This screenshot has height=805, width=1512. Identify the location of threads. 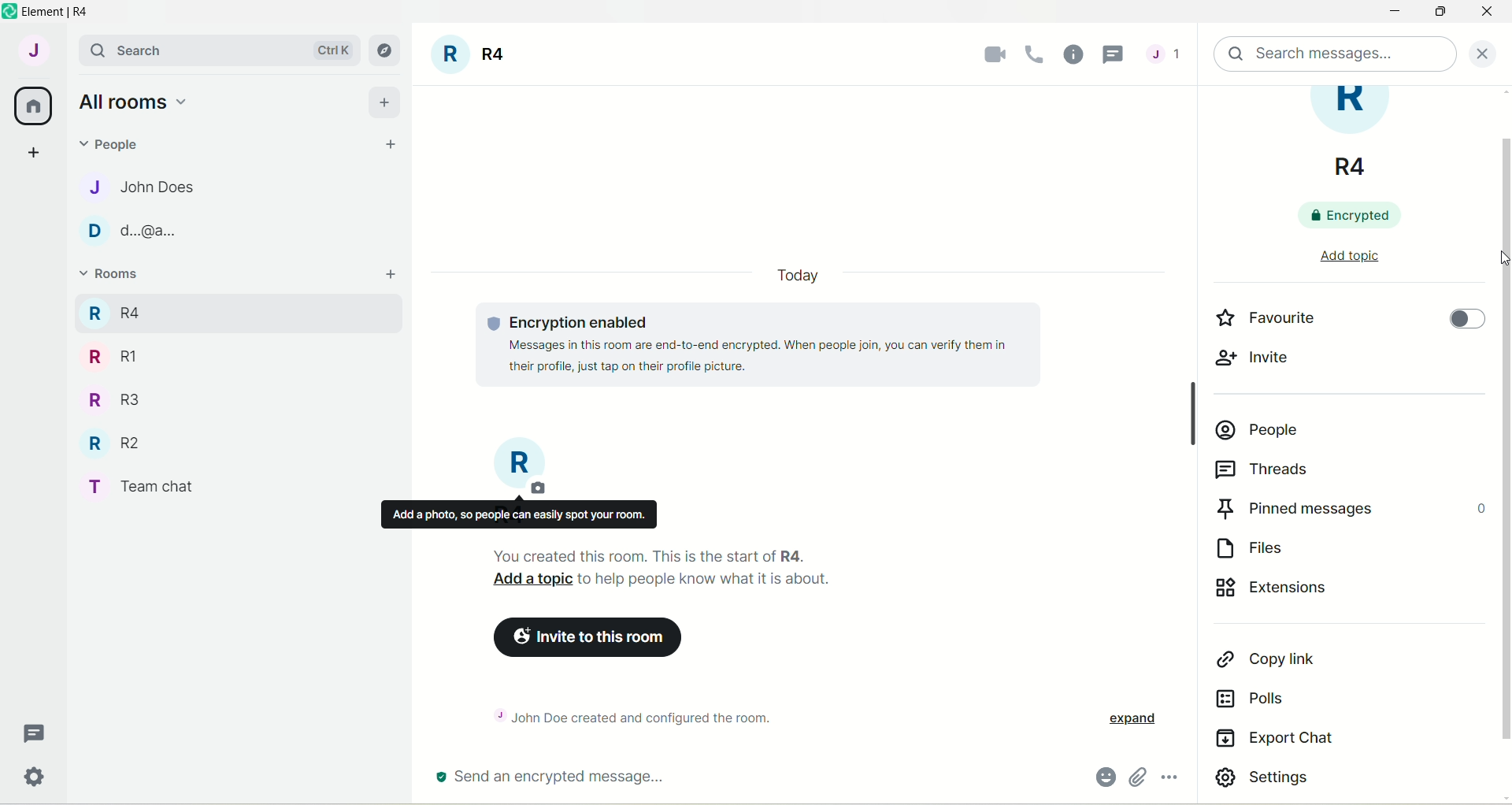
(35, 734).